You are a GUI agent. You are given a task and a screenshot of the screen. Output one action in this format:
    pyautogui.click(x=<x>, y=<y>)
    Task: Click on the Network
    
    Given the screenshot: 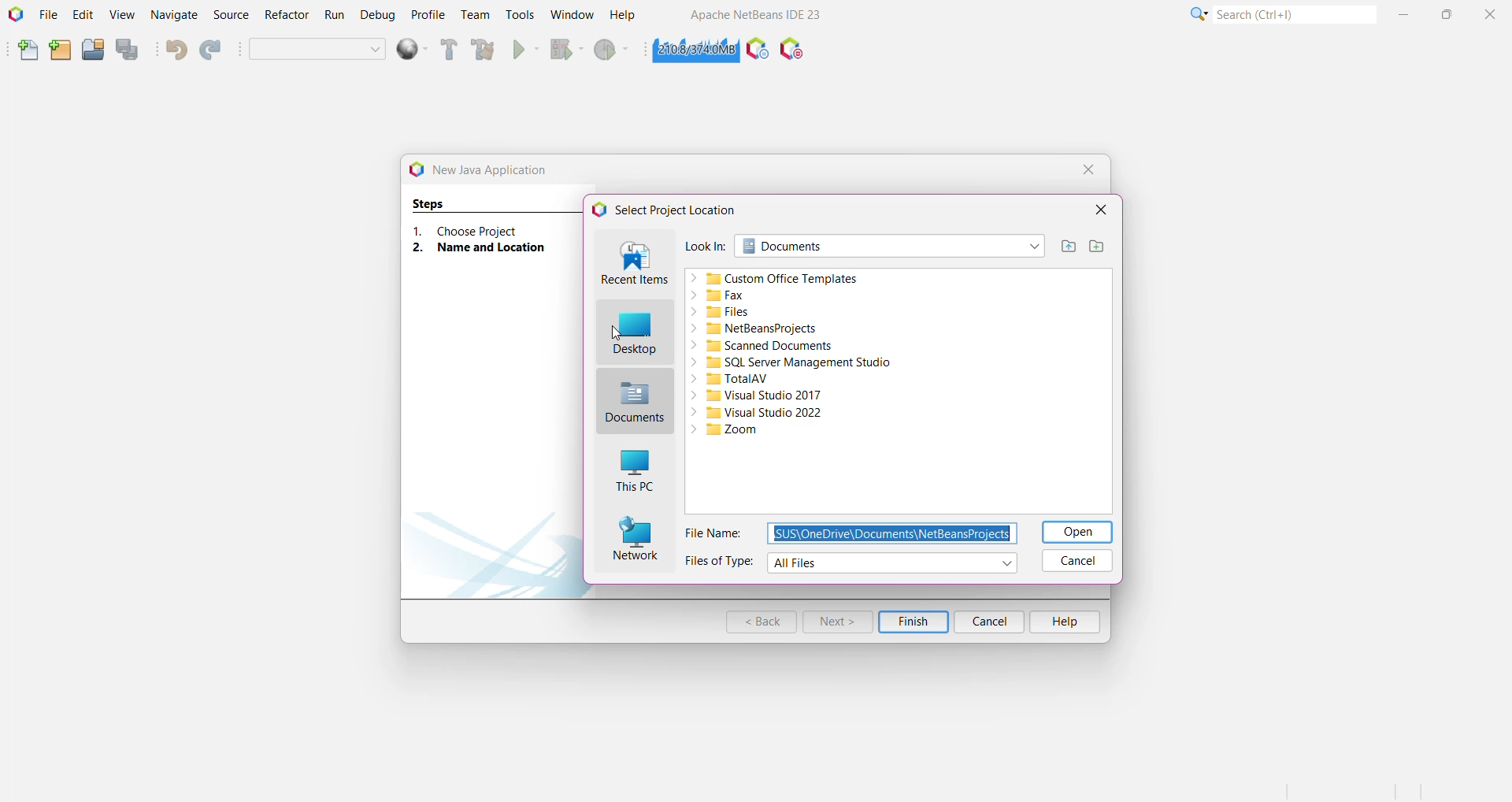 What is the action you would take?
    pyautogui.click(x=634, y=540)
    